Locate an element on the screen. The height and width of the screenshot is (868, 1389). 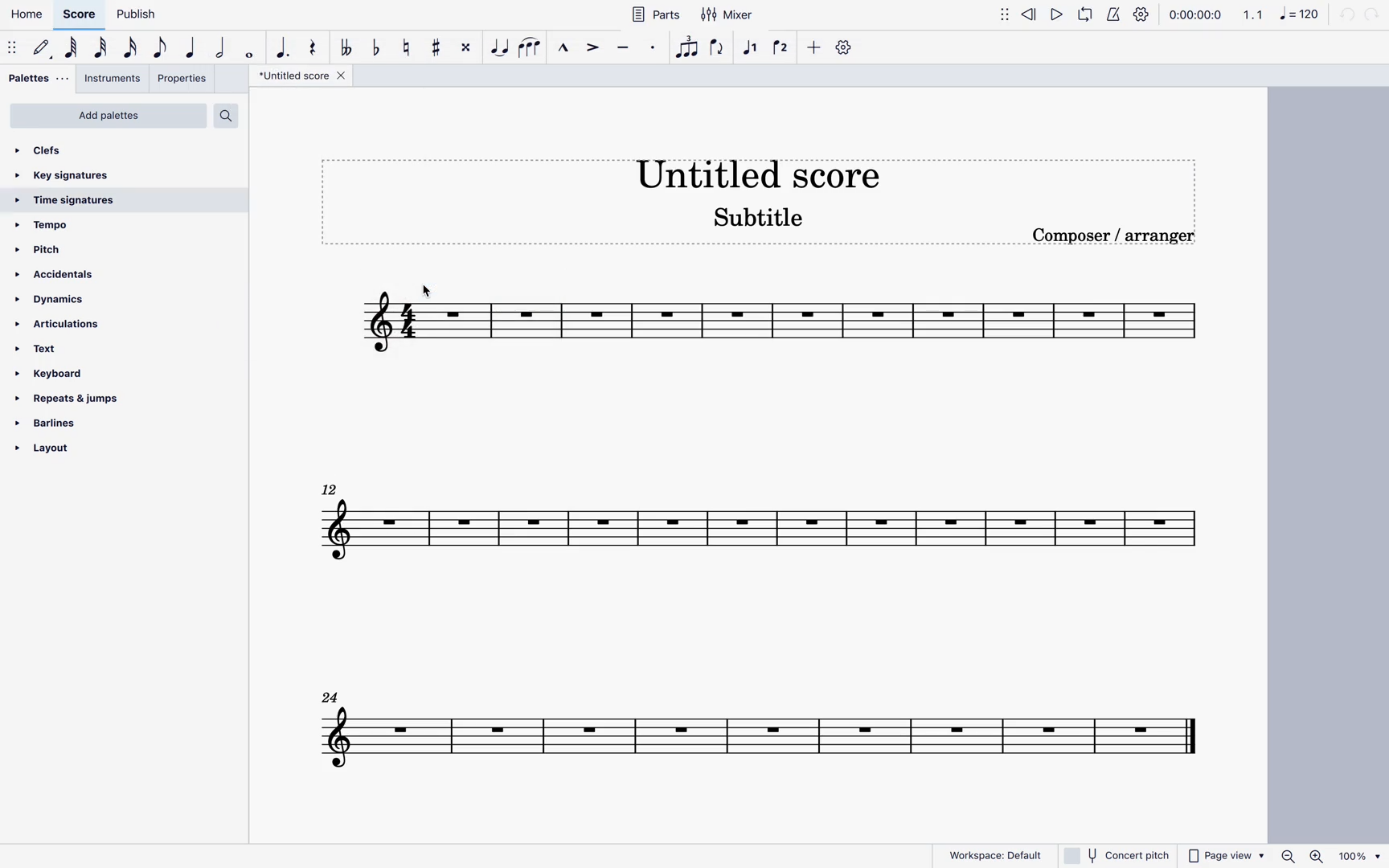
eight note is located at coordinates (158, 51).